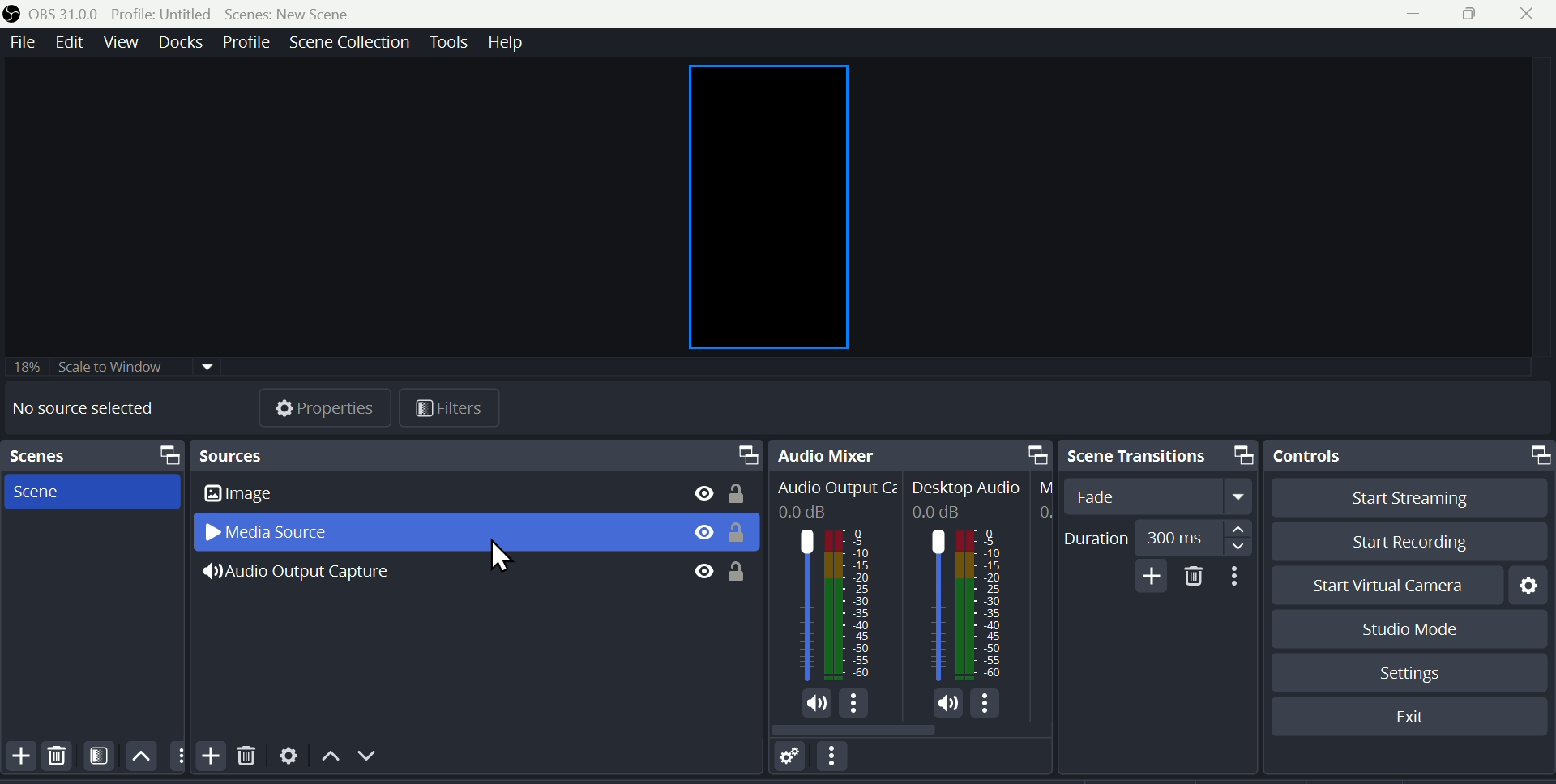 This screenshot has width=1556, height=784. I want to click on Settings, so click(1411, 673).